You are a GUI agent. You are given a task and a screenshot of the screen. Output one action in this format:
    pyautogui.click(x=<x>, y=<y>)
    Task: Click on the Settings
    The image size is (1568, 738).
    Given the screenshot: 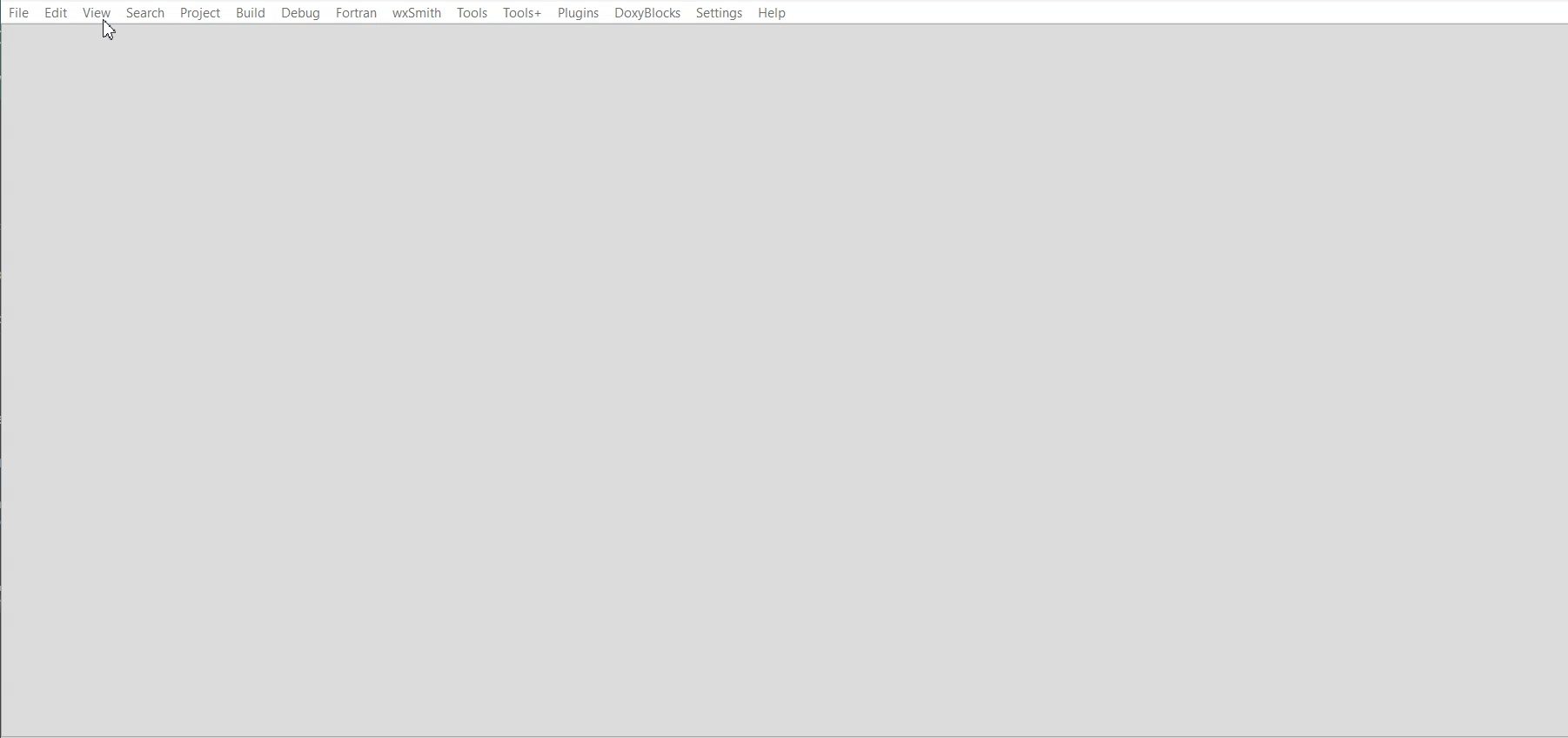 What is the action you would take?
    pyautogui.click(x=719, y=13)
    